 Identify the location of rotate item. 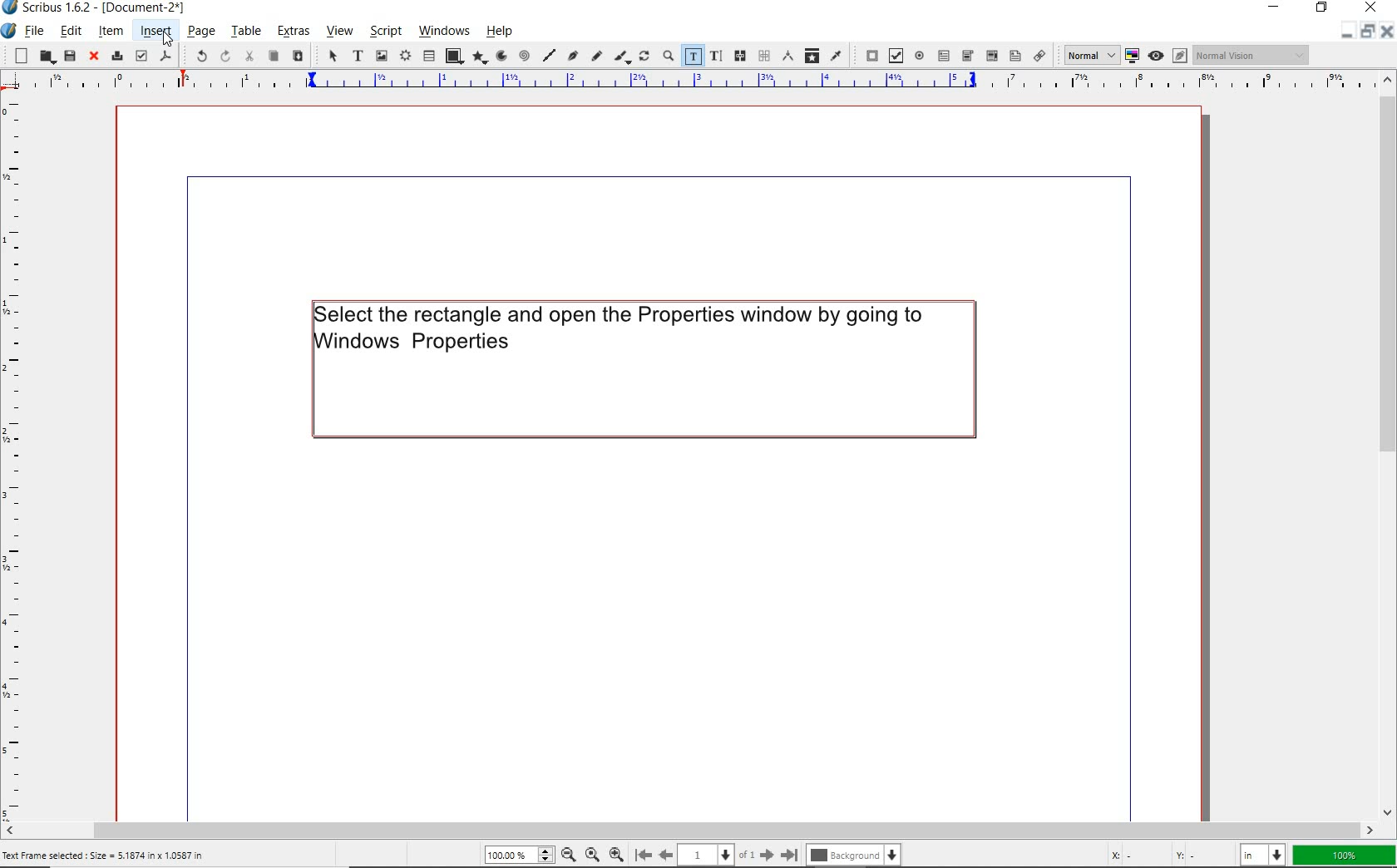
(644, 57).